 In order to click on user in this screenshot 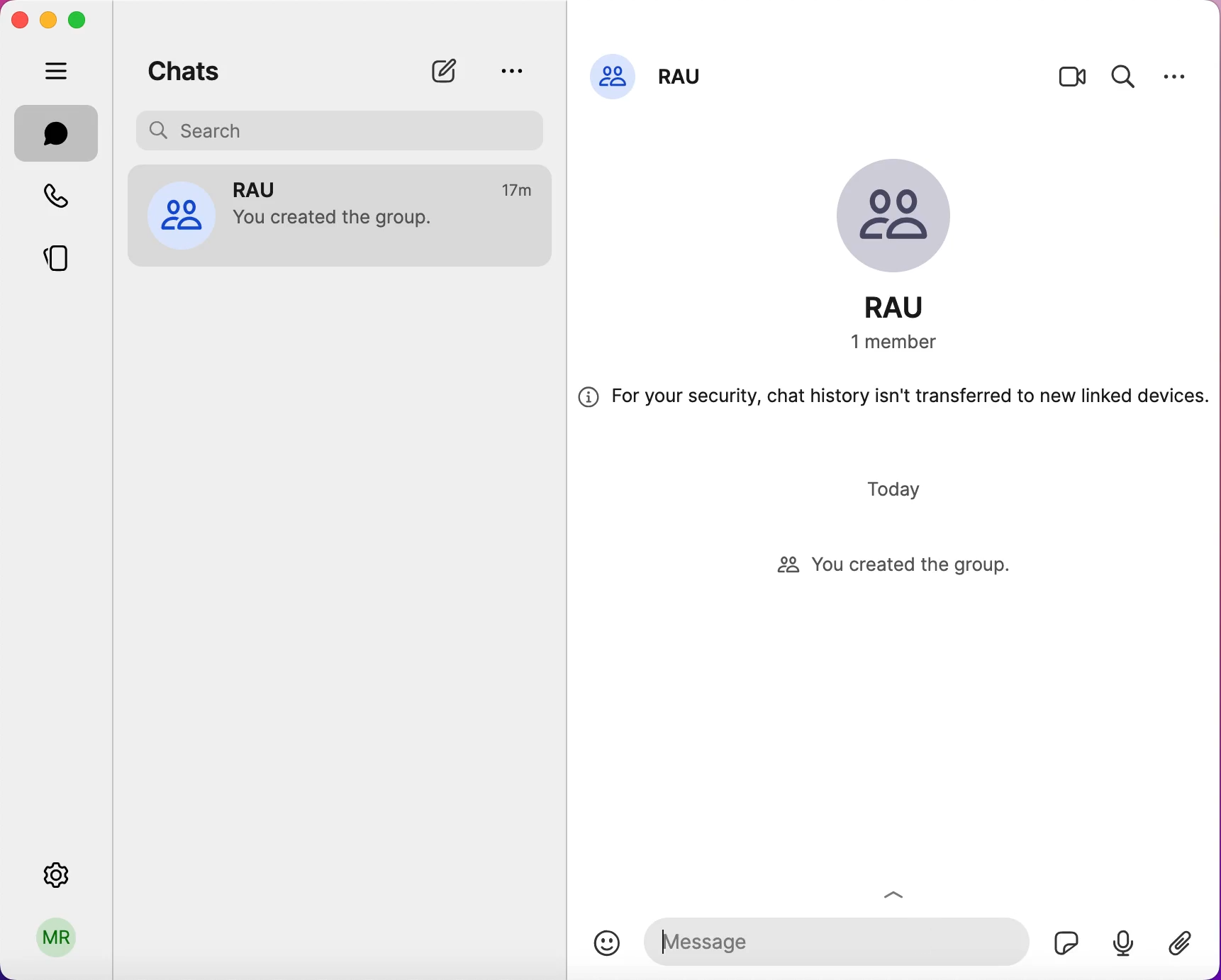, I will do `click(57, 942)`.